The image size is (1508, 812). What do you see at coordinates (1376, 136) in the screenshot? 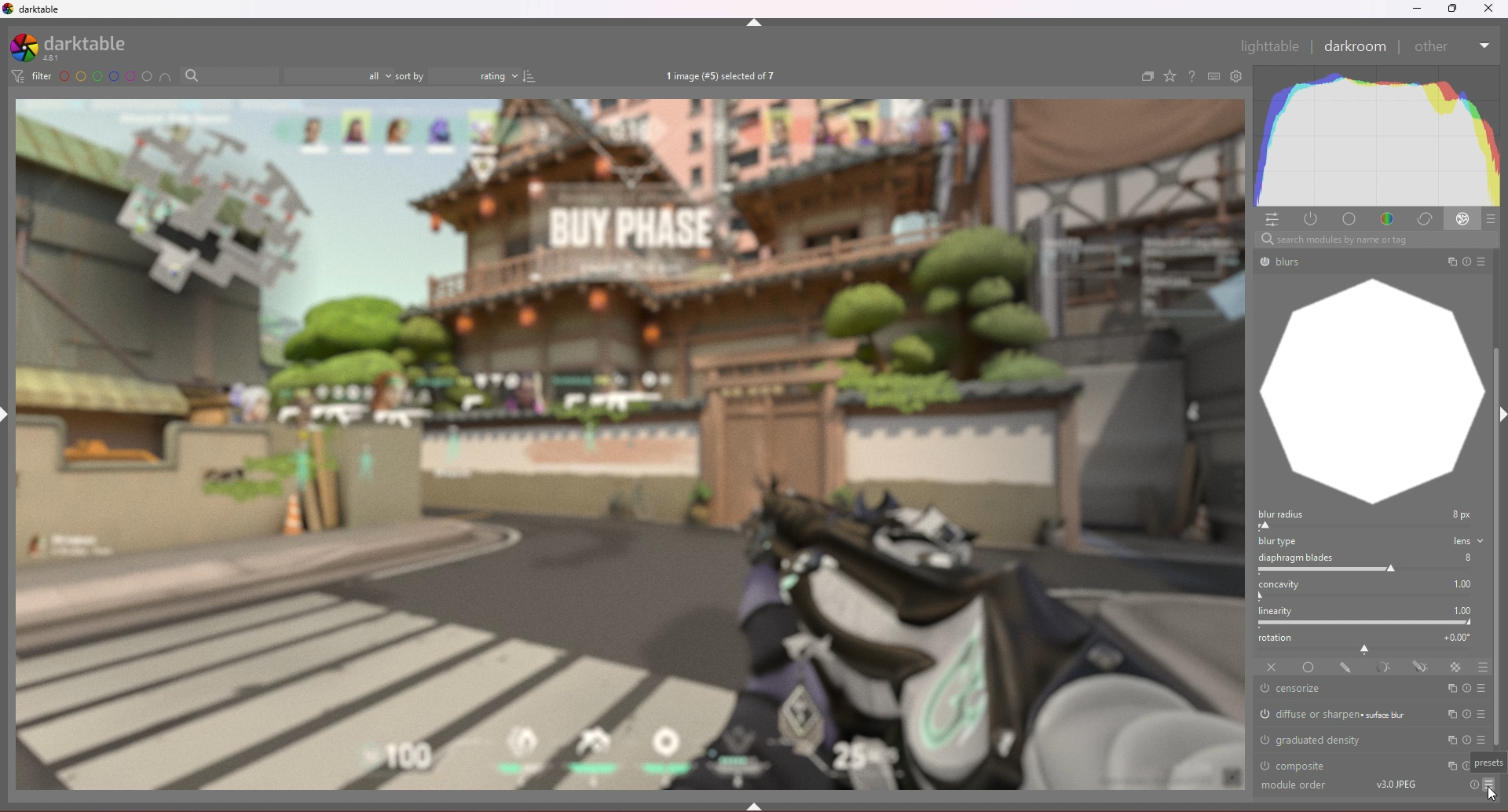
I see `heat graph` at bounding box center [1376, 136].